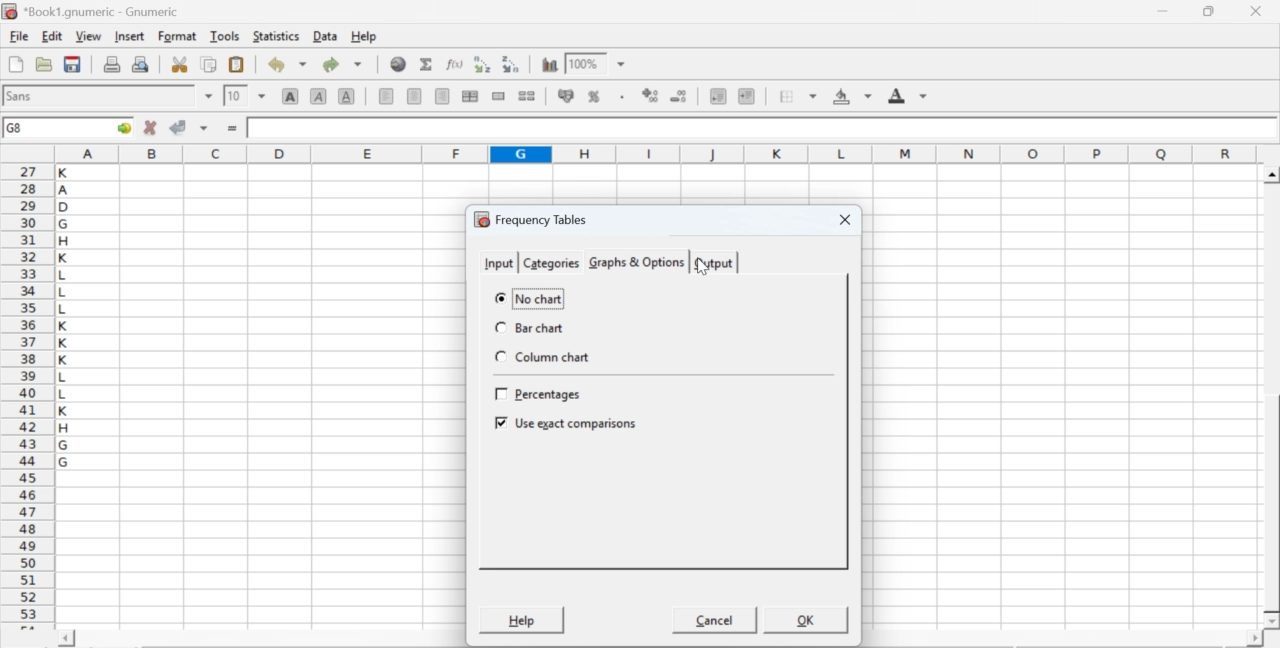 The image size is (1280, 648). What do you see at coordinates (854, 96) in the screenshot?
I see `background` at bounding box center [854, 96].